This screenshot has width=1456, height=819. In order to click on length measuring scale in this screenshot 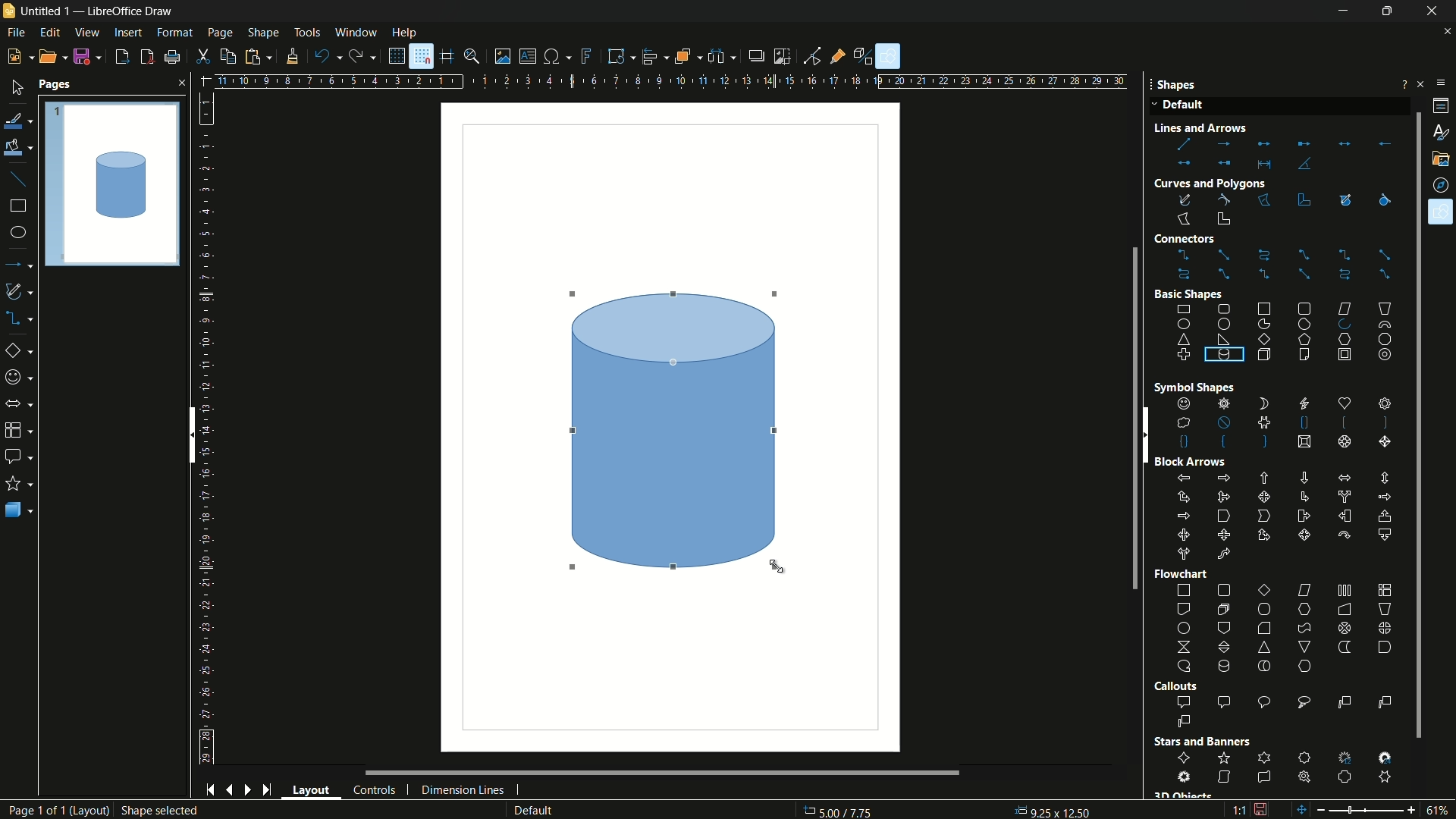, I will do `click(210, 428)`.